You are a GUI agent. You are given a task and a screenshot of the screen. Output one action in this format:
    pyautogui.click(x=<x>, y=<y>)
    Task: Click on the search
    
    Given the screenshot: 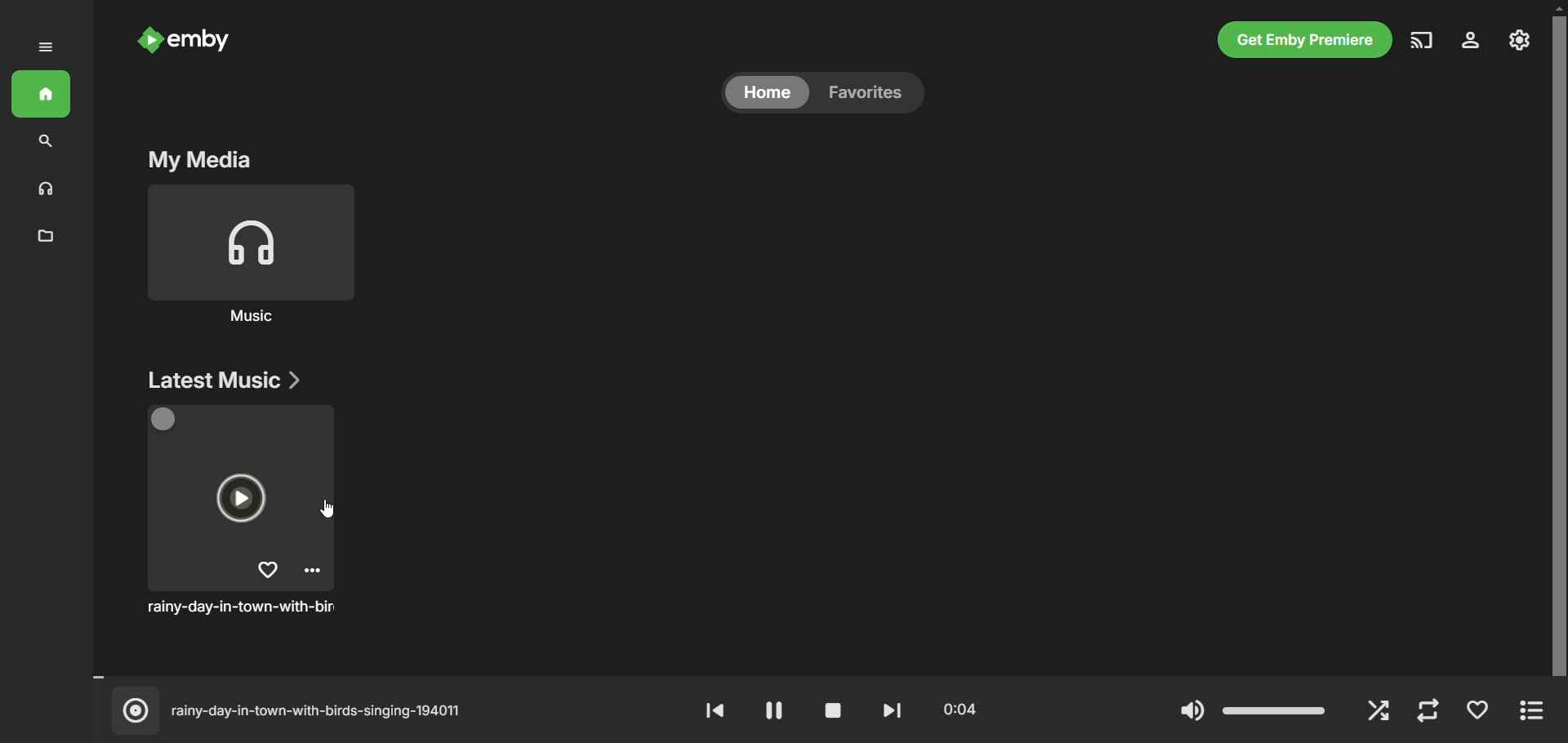 What is the action you would take?
    pyautogui.click(x=43, y=143)
    